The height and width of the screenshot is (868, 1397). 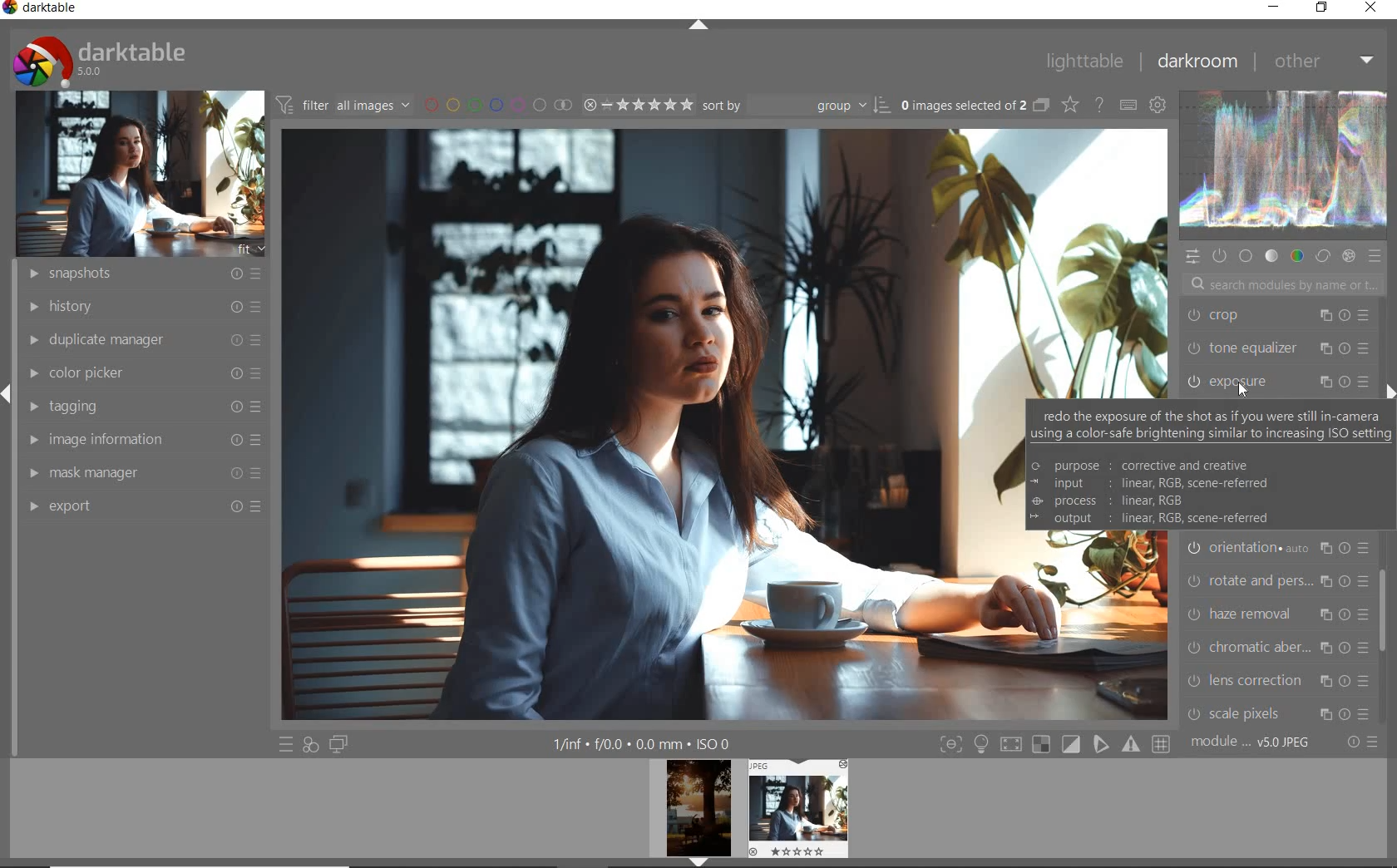 What do you see at coordinates (1276, 347) in the screenshot?
I see `TONE EQUALIZER` at bounding box center [1276, 347].